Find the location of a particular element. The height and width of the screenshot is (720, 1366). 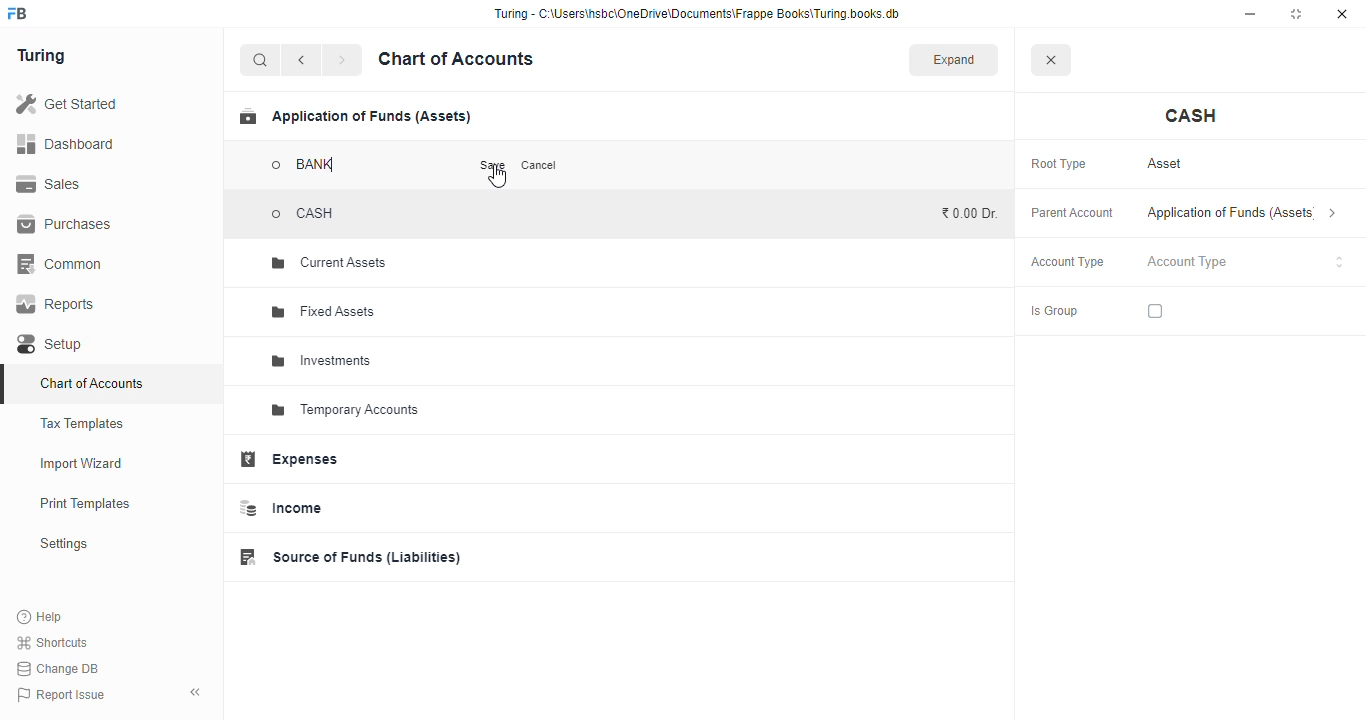

tax templates is located at coordinates (83, 423).